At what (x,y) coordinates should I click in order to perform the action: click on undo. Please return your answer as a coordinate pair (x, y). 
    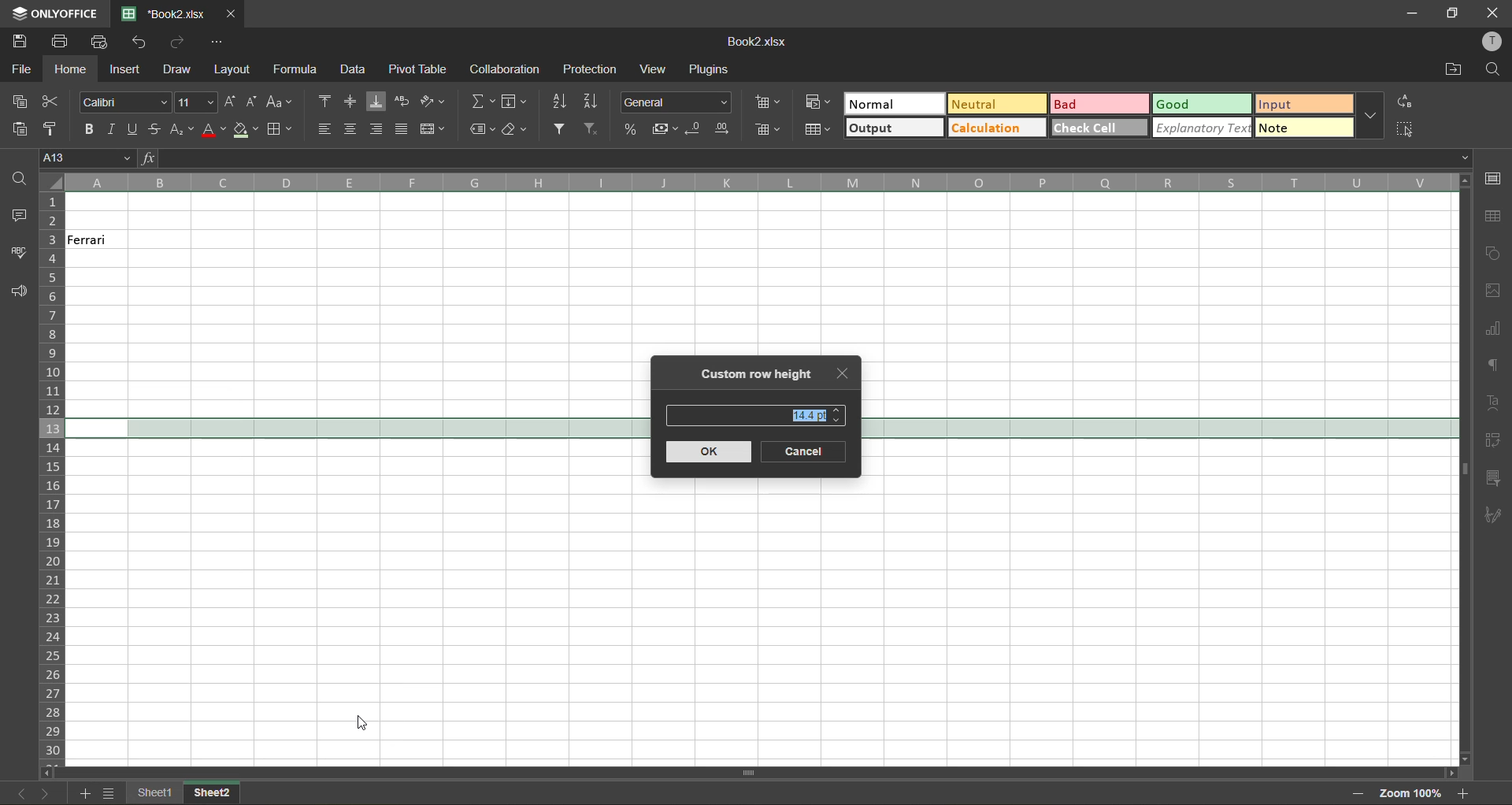
    Looking at the image, I should click on (145, 44).